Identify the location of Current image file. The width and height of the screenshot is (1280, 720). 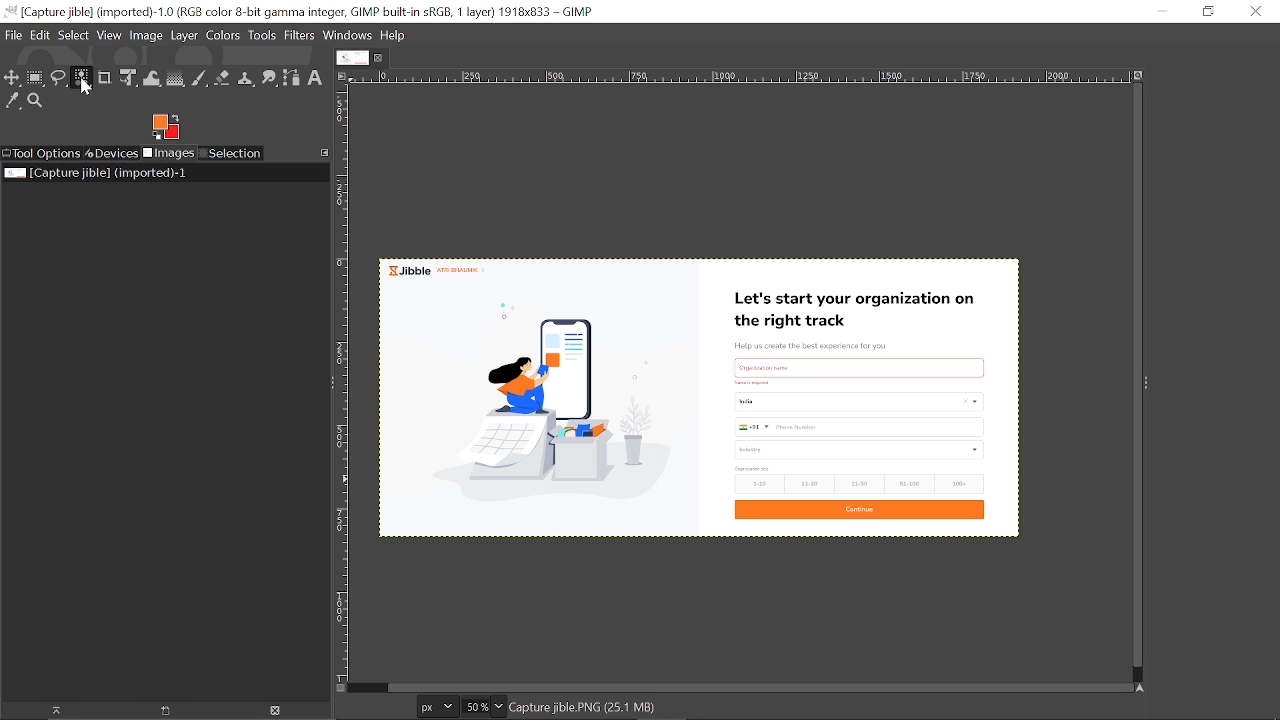
(97, 172).